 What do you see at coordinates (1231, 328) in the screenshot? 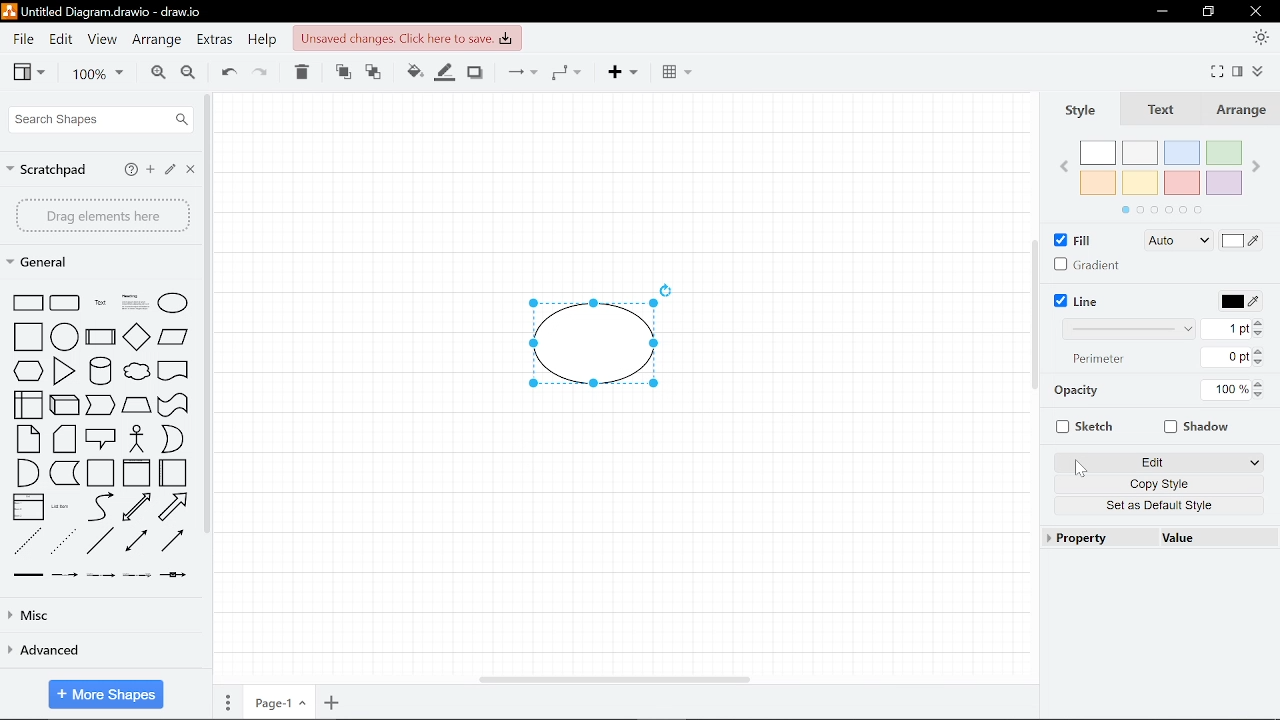
I see `Current line width` at bounding box center [1231, 328].